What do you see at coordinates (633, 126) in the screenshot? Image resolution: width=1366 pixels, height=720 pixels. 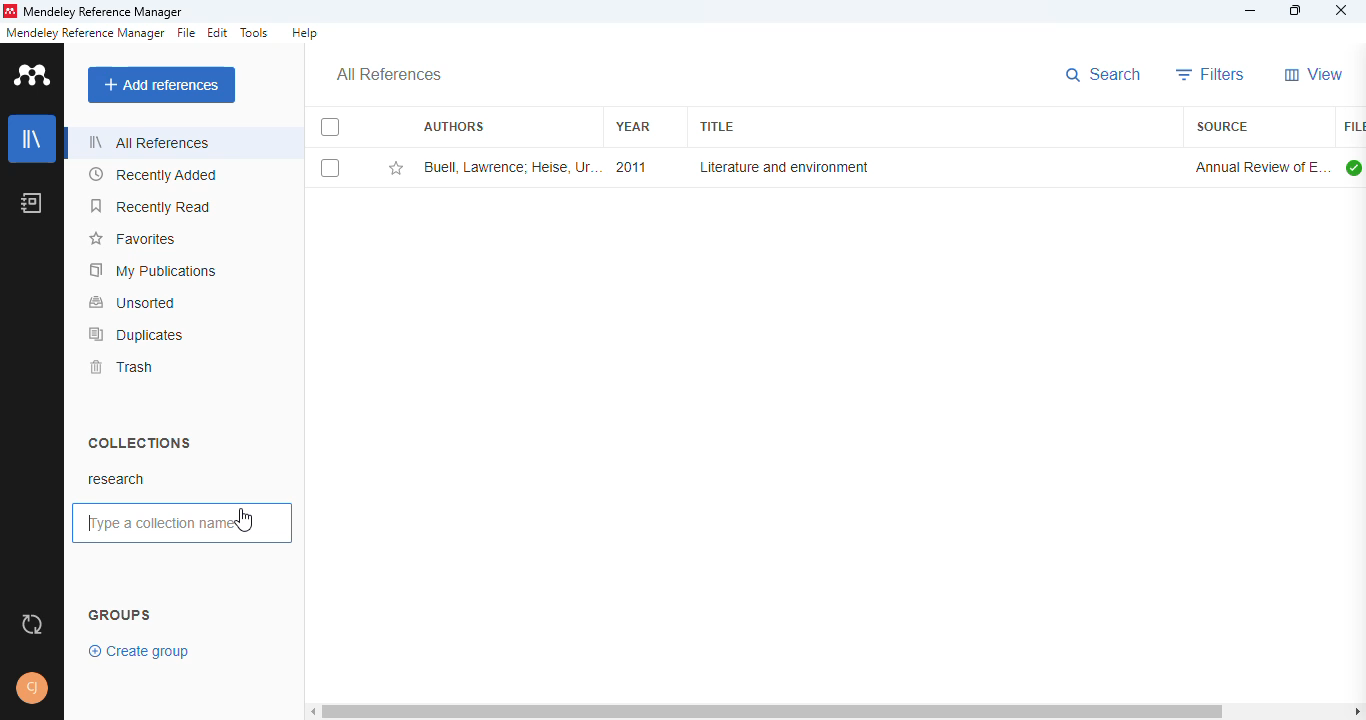 I see `year` at bounding box center [633, 126].